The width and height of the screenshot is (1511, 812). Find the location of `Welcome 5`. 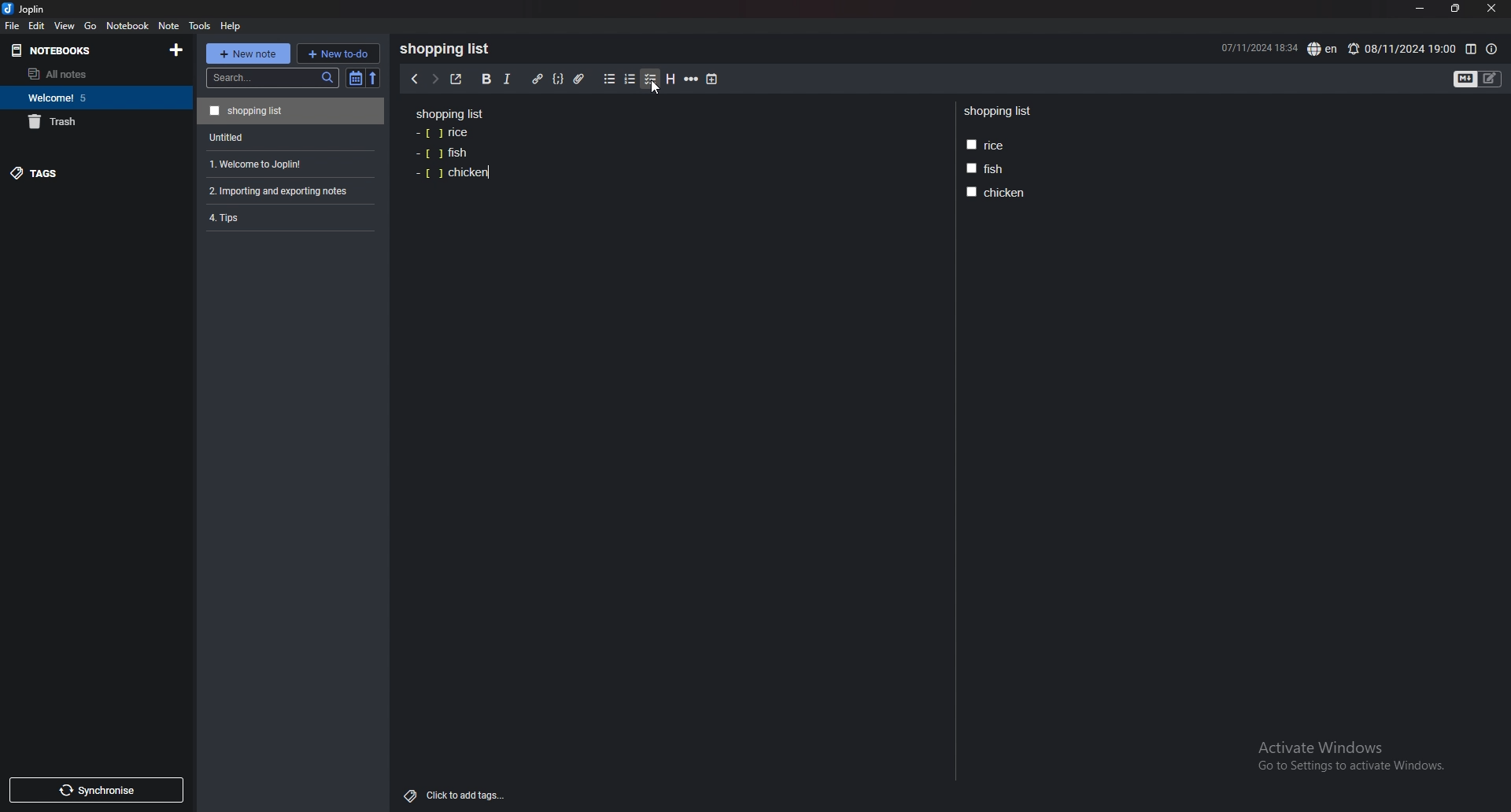

Welcome 5 is located at coordinates (92, 97).